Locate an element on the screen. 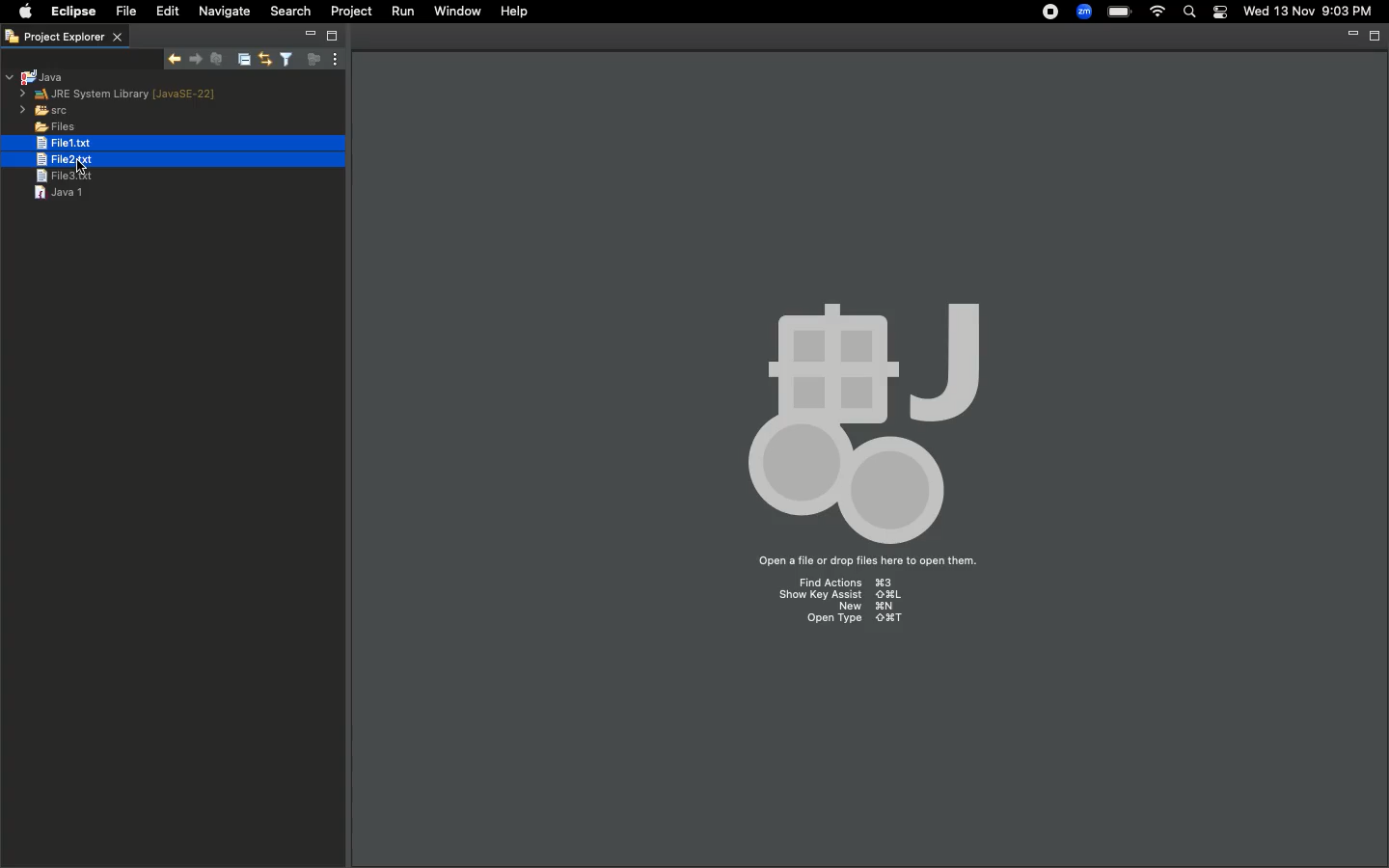  Find Actions  is located at coordinates (855, 583).